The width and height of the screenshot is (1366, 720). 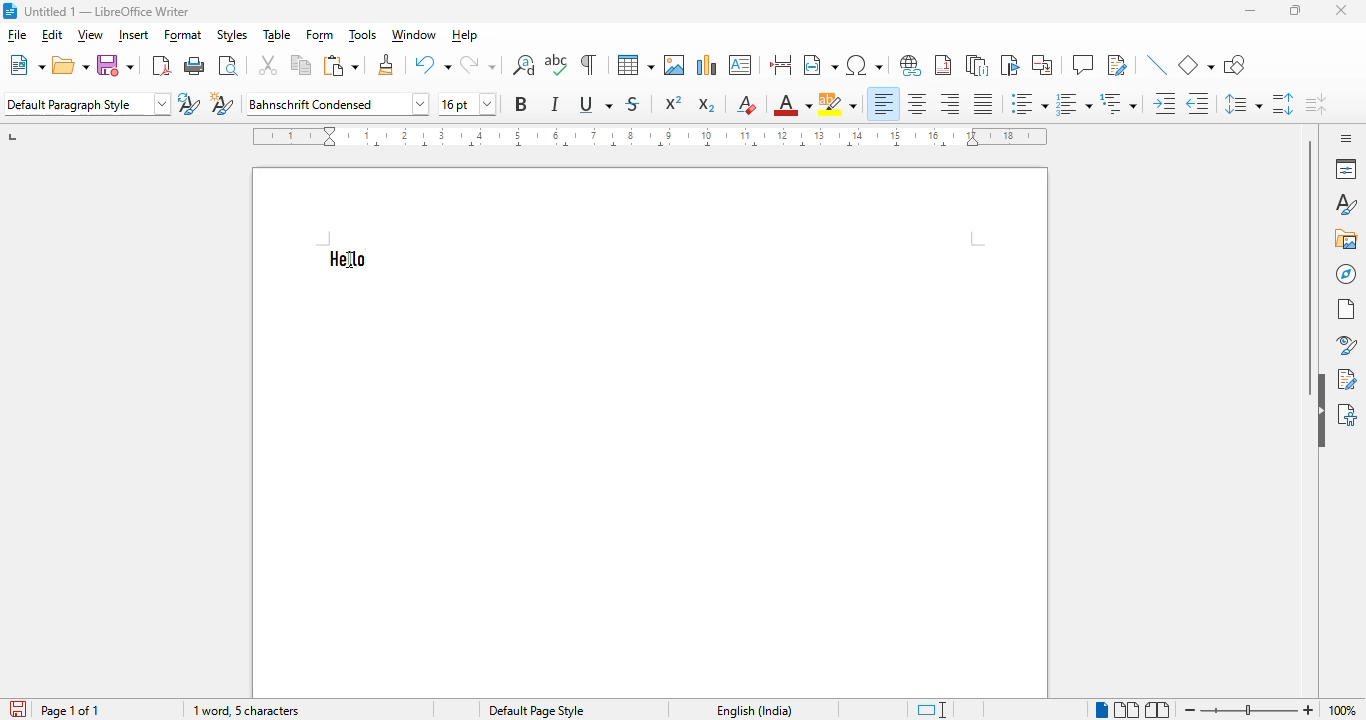 What do you see at coordinates (707, 64) in the screenshot?
I see `insert chart` at bounding box center [707, 64].